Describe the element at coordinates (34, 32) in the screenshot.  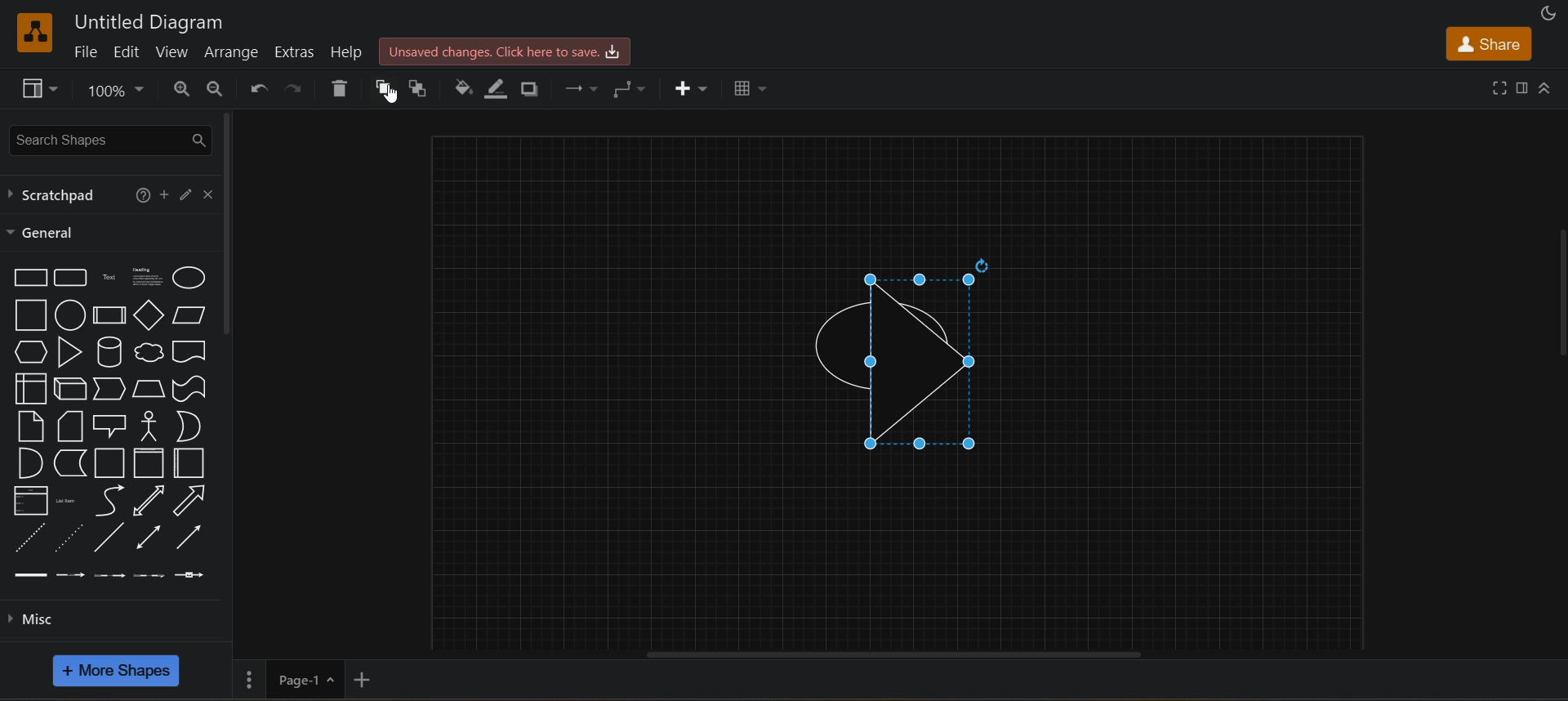
I see `draw.io logo` at that location.